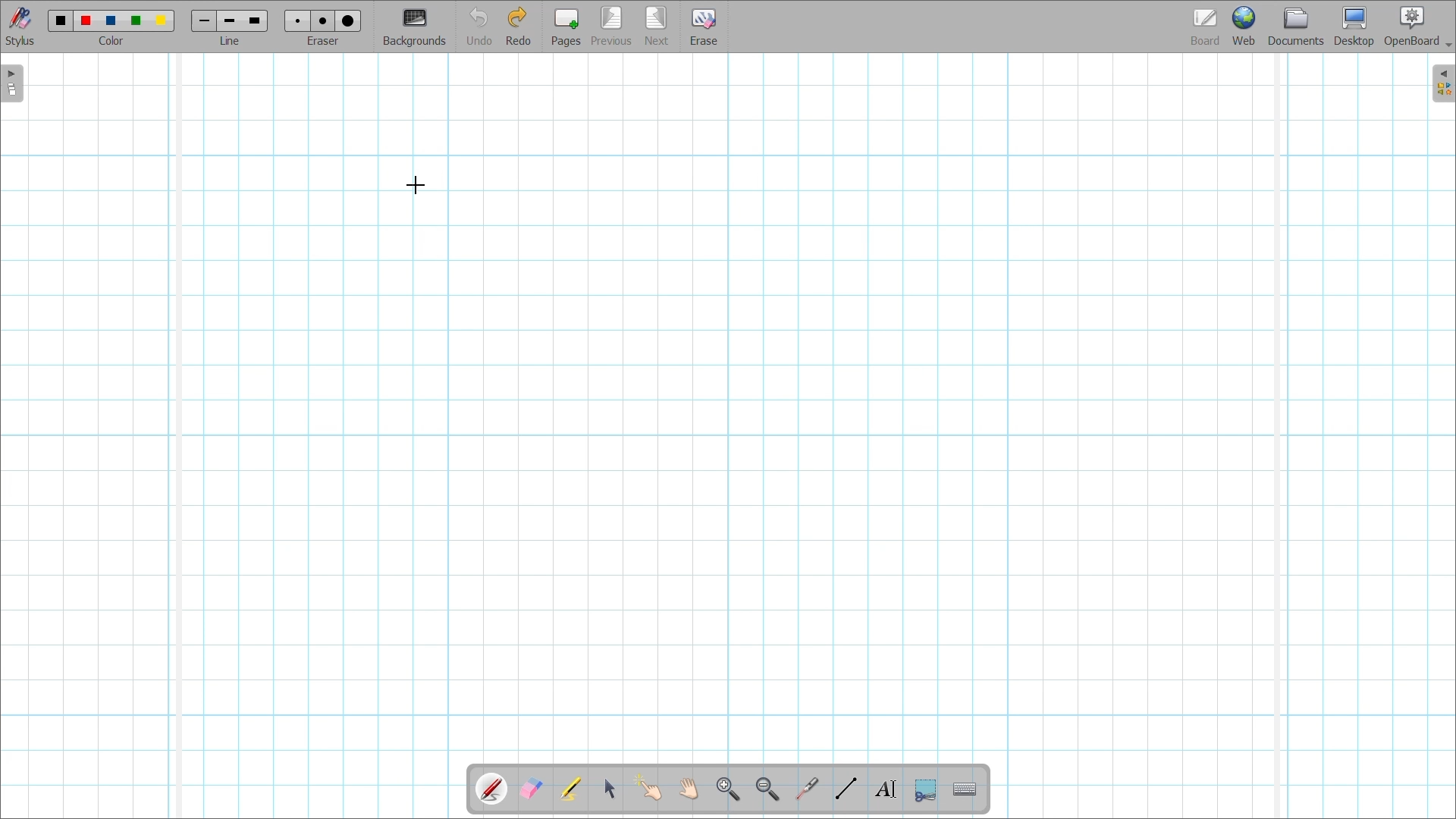 The width and height of the screenshot is (1456, 819). What do you see at coordinates (1418, 27) in the screenshot?
I see `OpenBoard settings` at bounding box center [1418, 27].